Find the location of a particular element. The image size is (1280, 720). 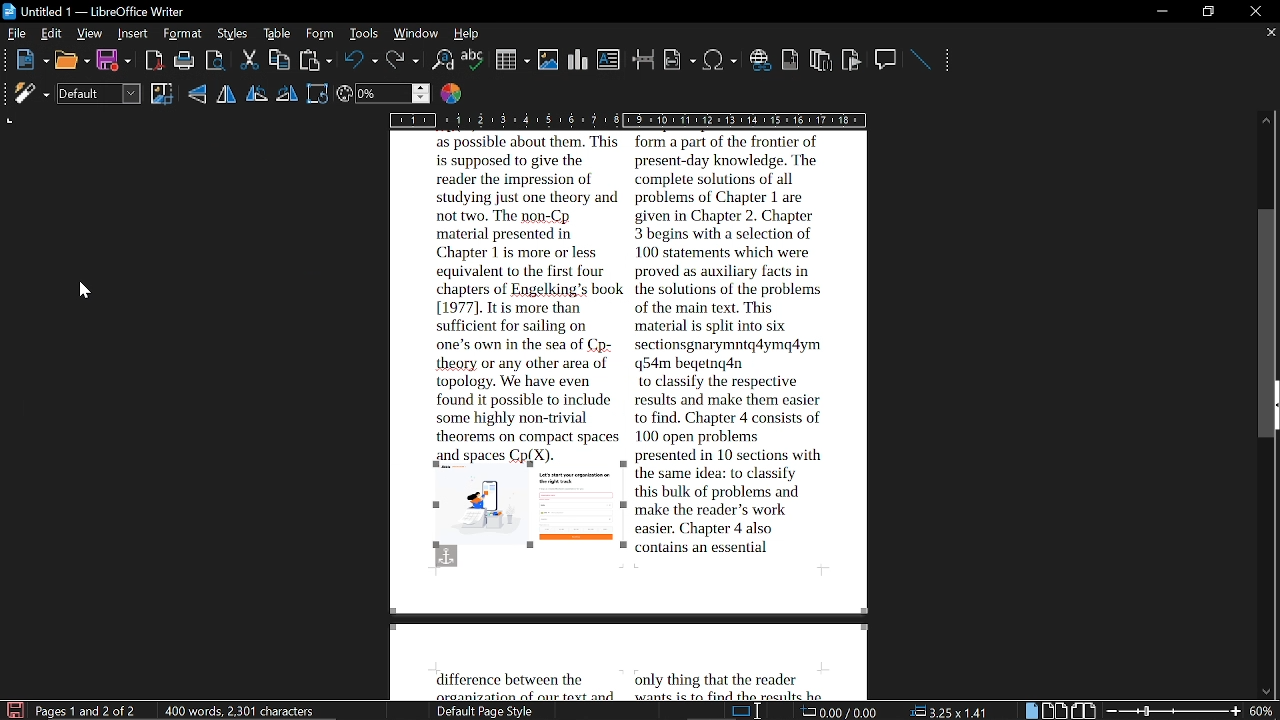

close tab is located at coordinates (1266, 34).